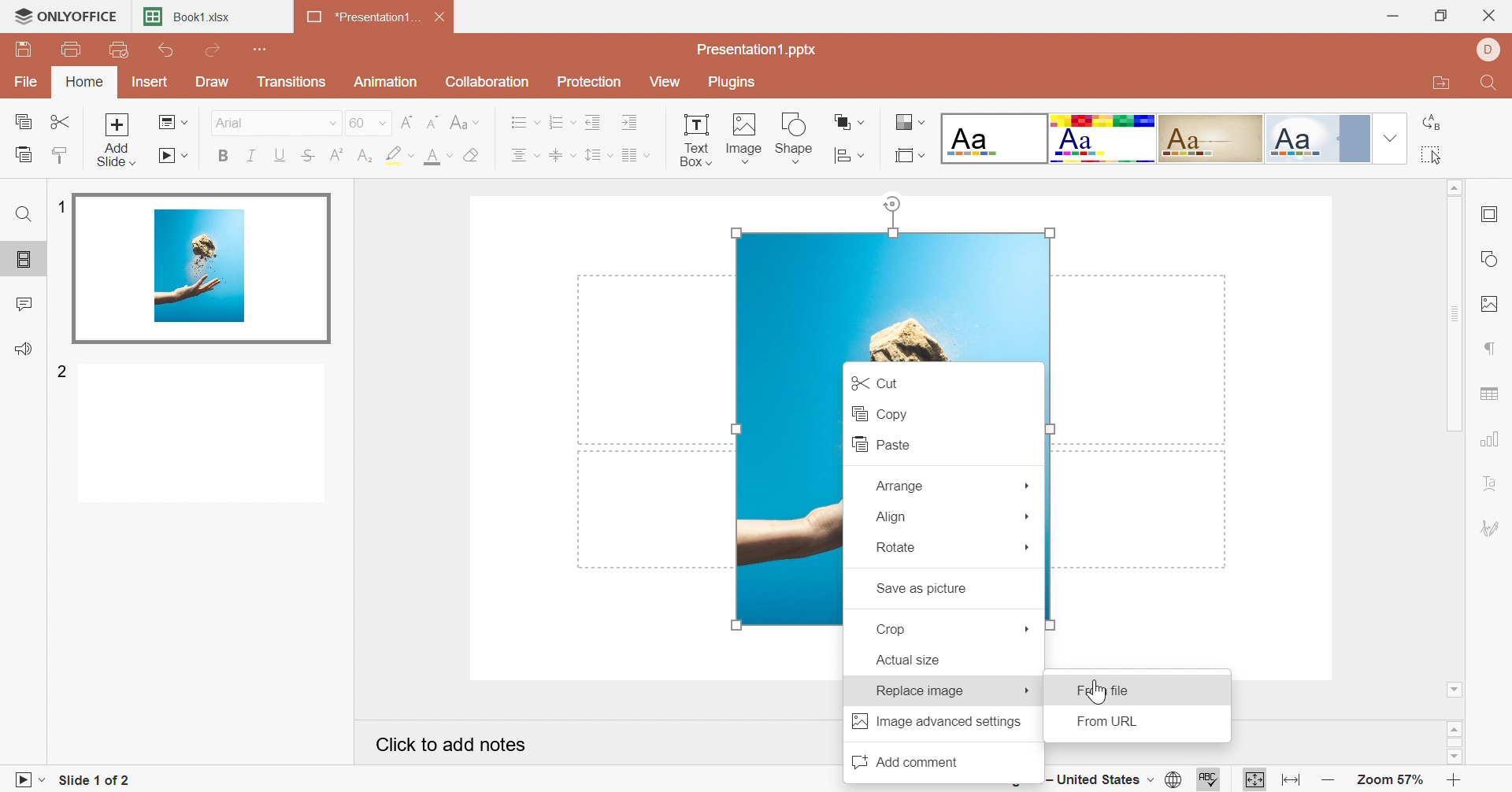  What do you see at coordinates (1455, 690) in the screenshot?
I see `Scroll down` at bounding box center [1455, 690].